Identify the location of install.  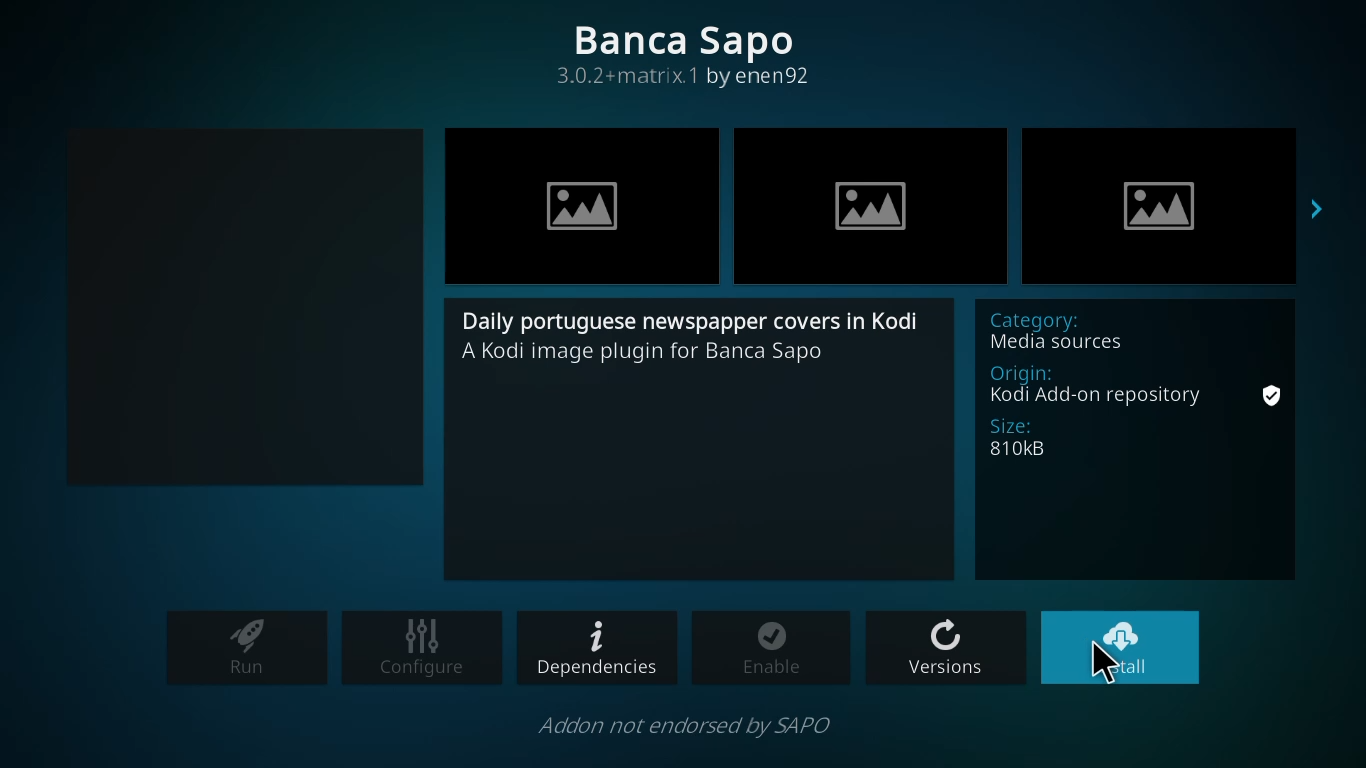
(1121, 648).